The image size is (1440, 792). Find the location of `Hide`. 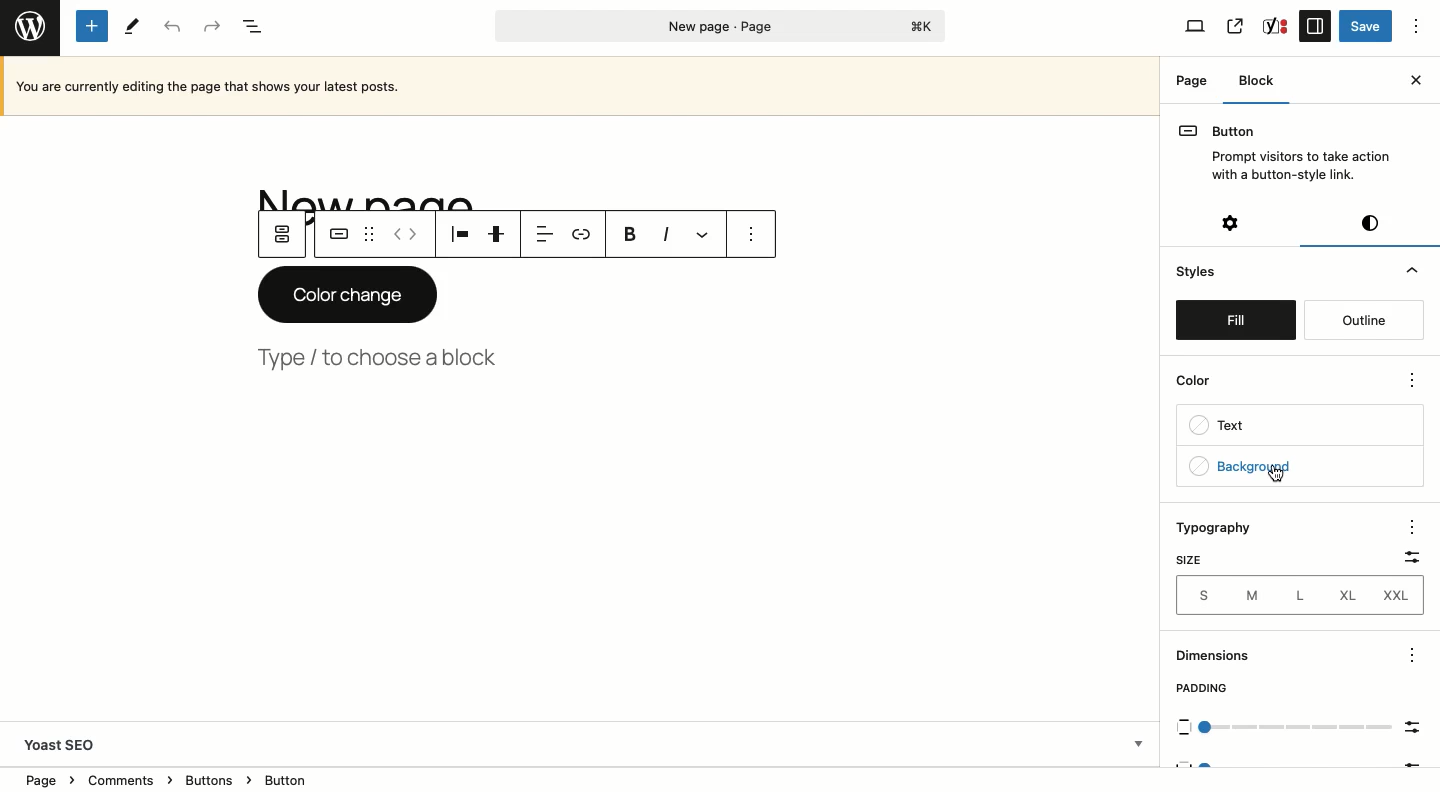

Hide is located at coordinates (1411, 273).